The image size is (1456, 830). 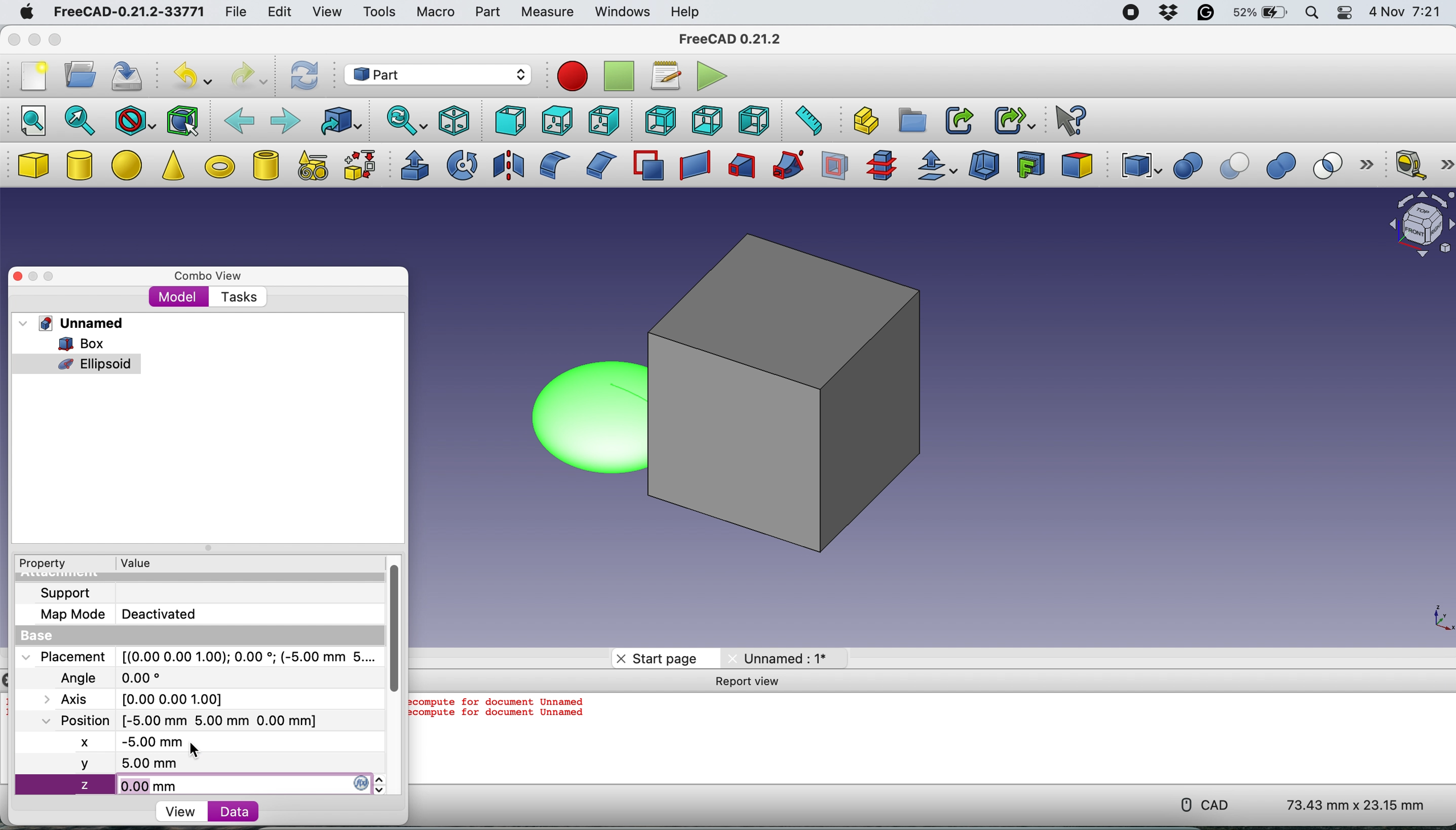 I want to click on make link, so click(x=959, y=120).